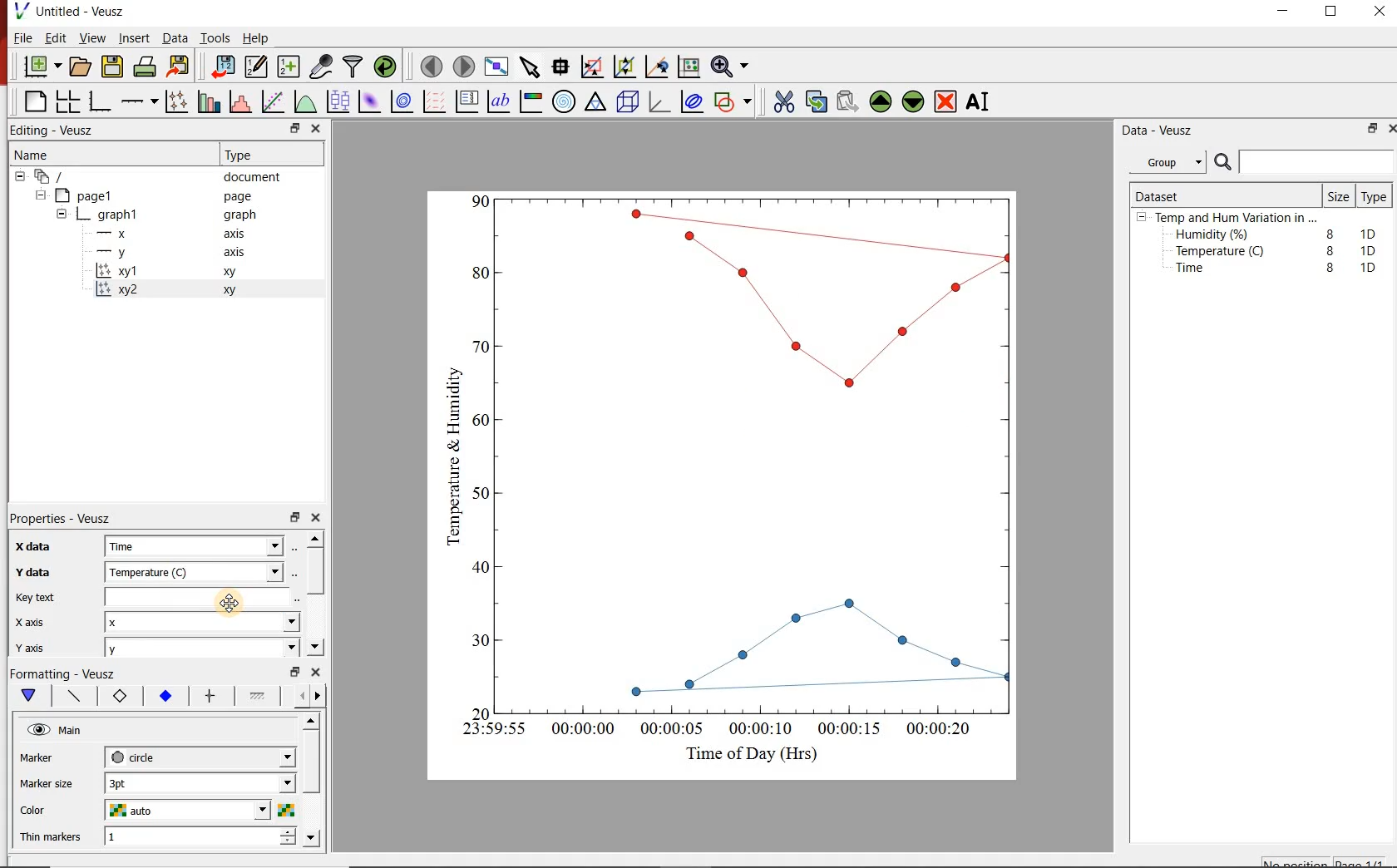 The width and height of the screenshot is (1397, 868). I want to click on print the document, so click(146, 69).